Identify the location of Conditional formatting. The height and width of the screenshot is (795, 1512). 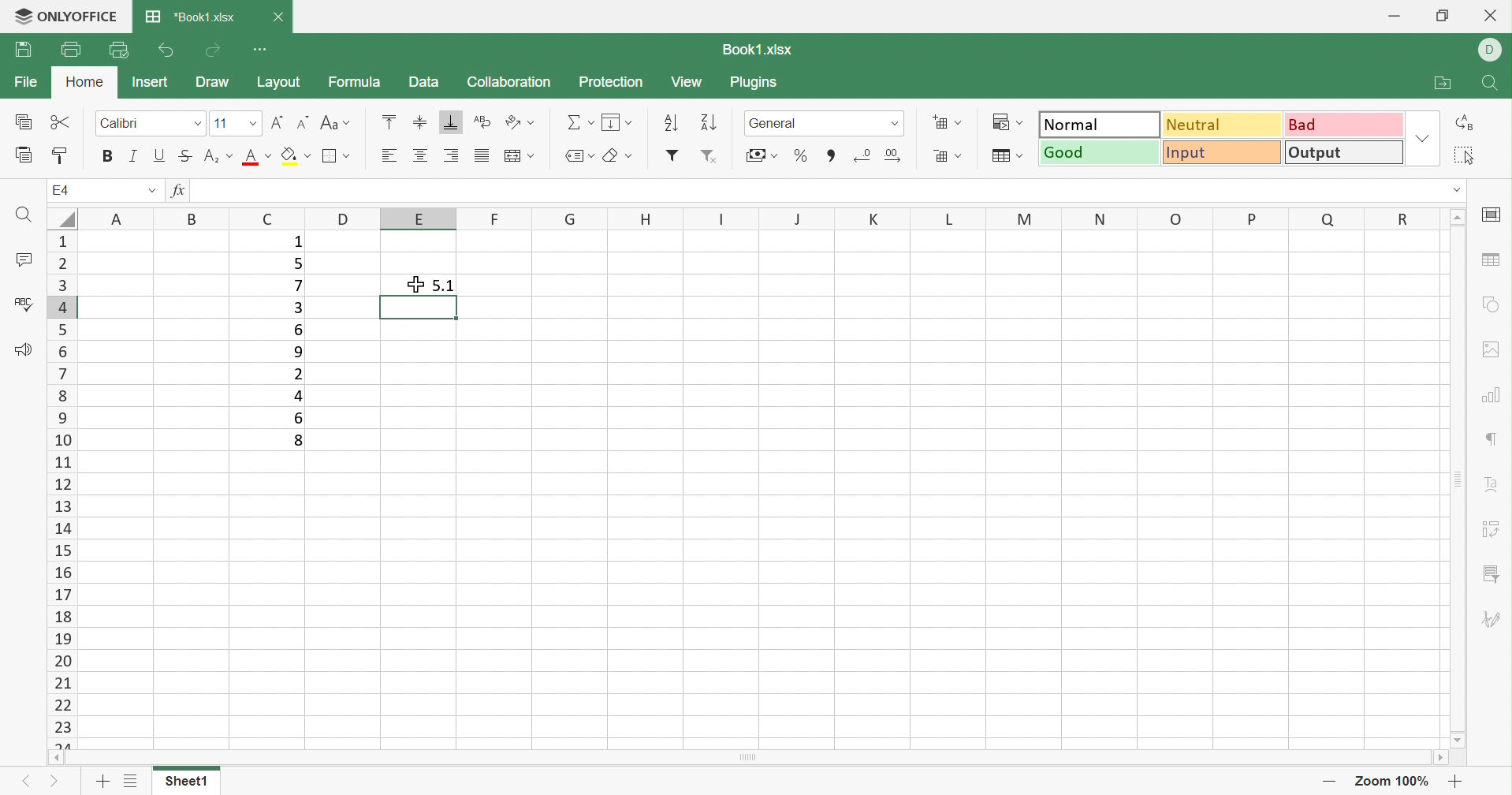
(1011, 121).